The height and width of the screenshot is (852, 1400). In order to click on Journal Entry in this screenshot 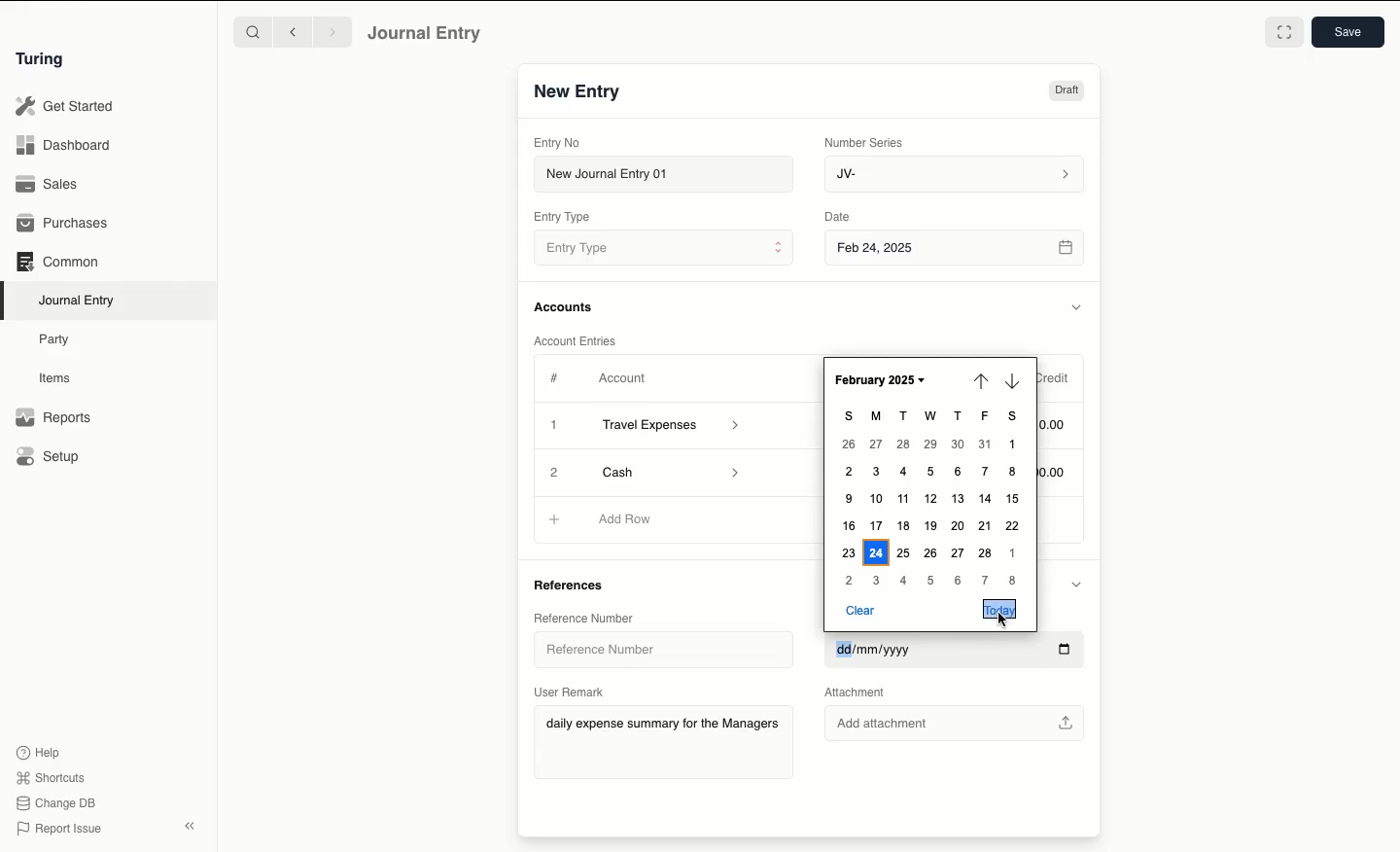, I will do `click(426, 34)`.